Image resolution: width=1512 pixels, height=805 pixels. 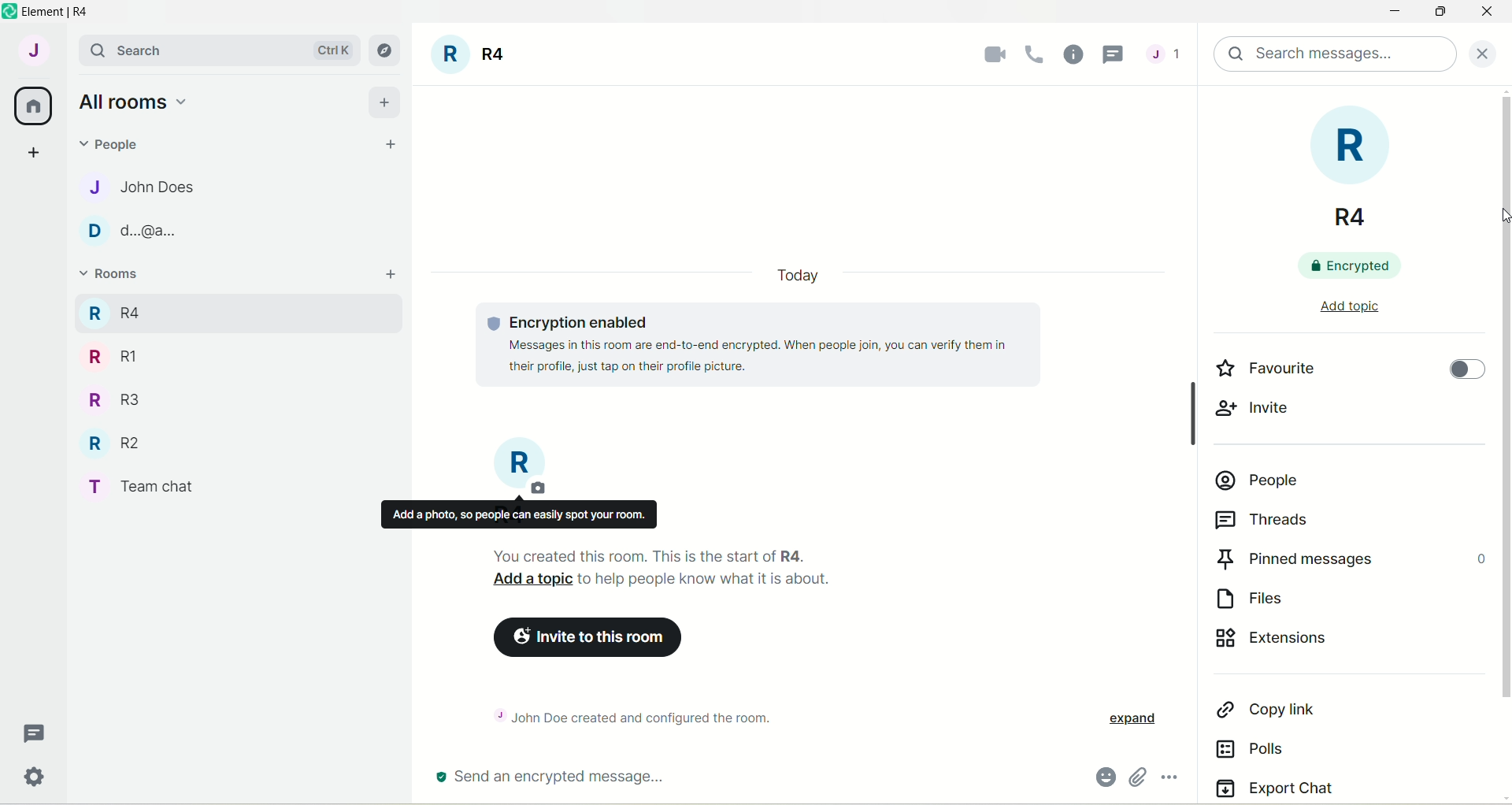 What do you see at coordinates (1262, 521) in the screenshot?
I see `threads` at bounding box center [1262, 521].